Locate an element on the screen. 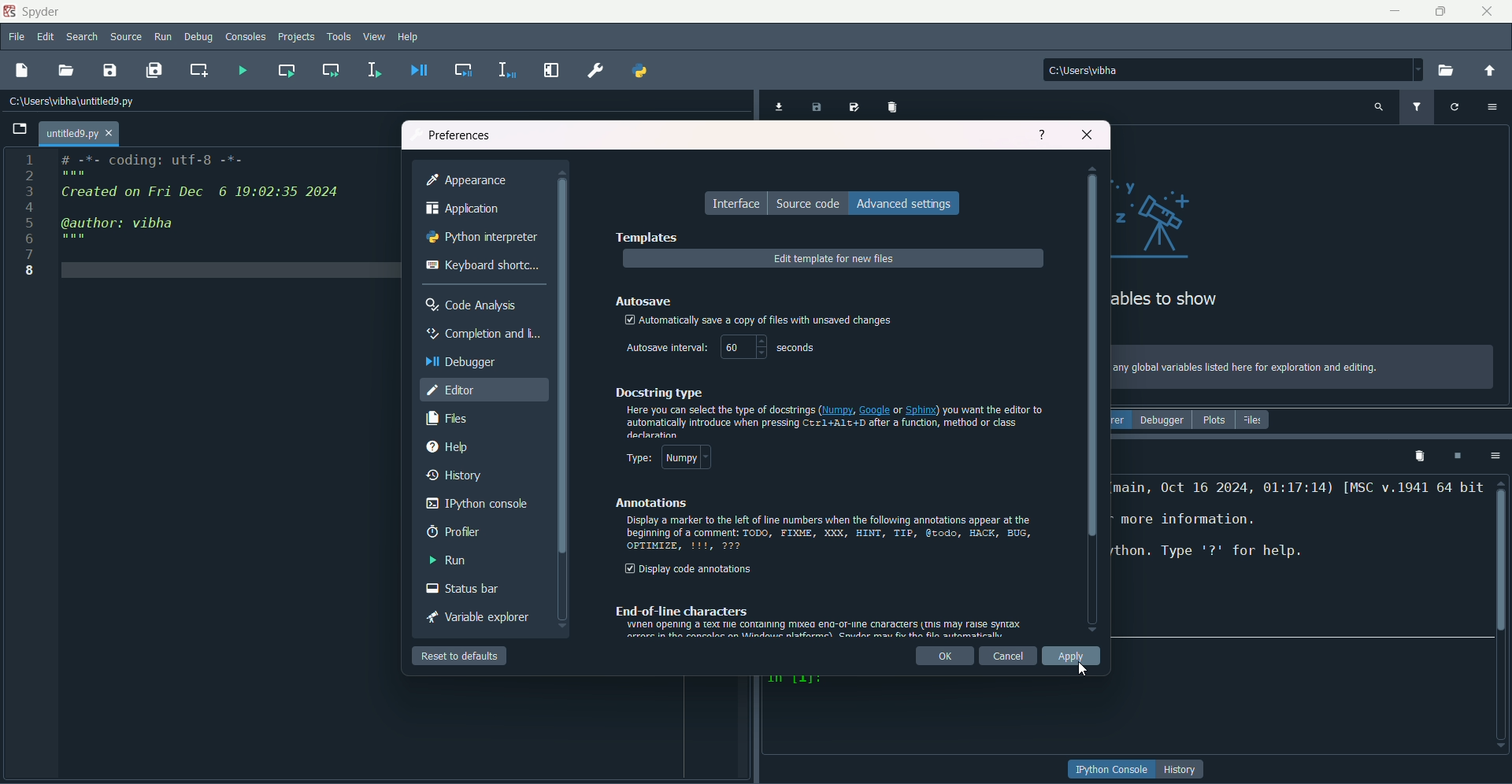 This screenshot has height=784, width=1512. display annotations is located at coordinates (689, 570).